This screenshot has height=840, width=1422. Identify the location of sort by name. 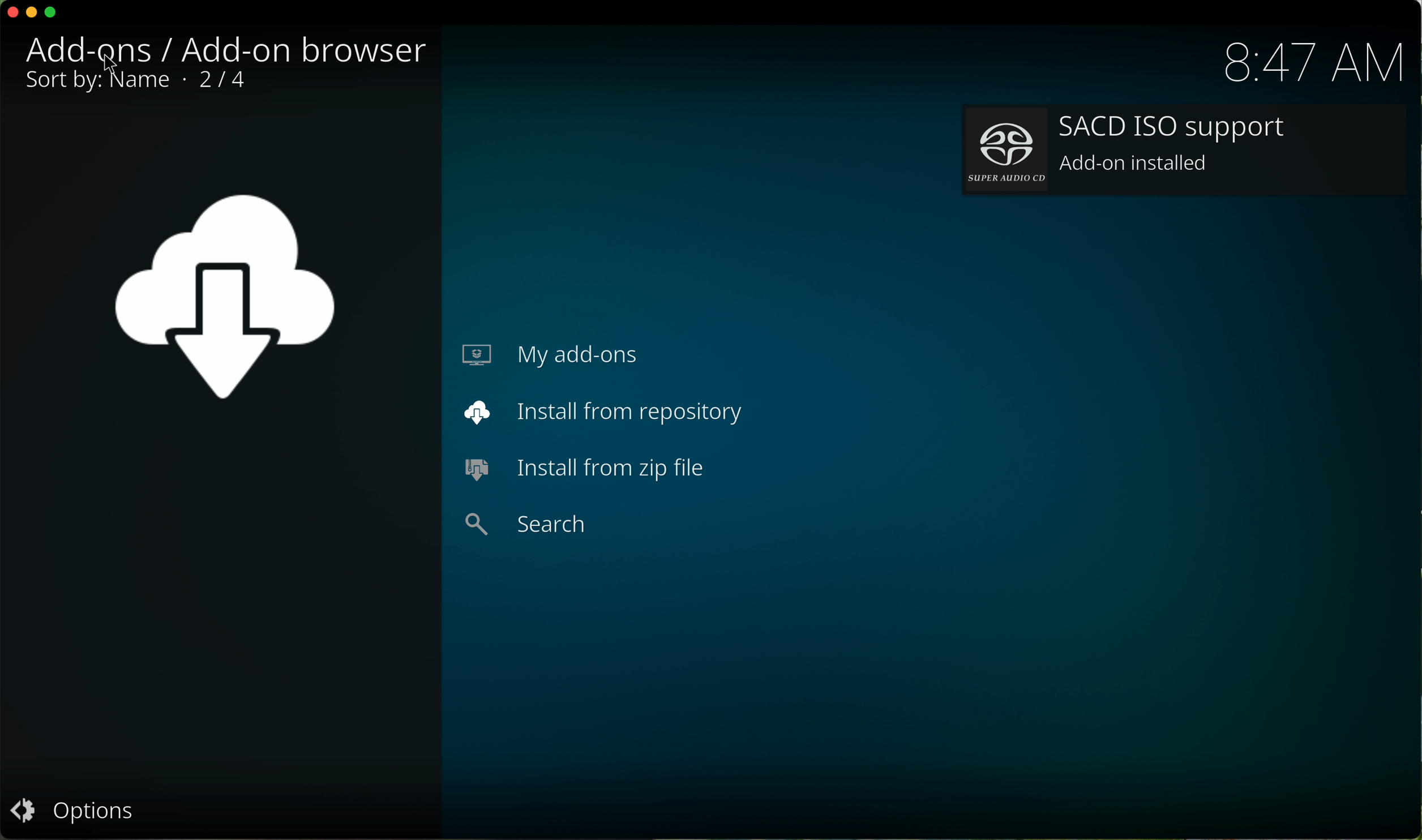
(103, 82).